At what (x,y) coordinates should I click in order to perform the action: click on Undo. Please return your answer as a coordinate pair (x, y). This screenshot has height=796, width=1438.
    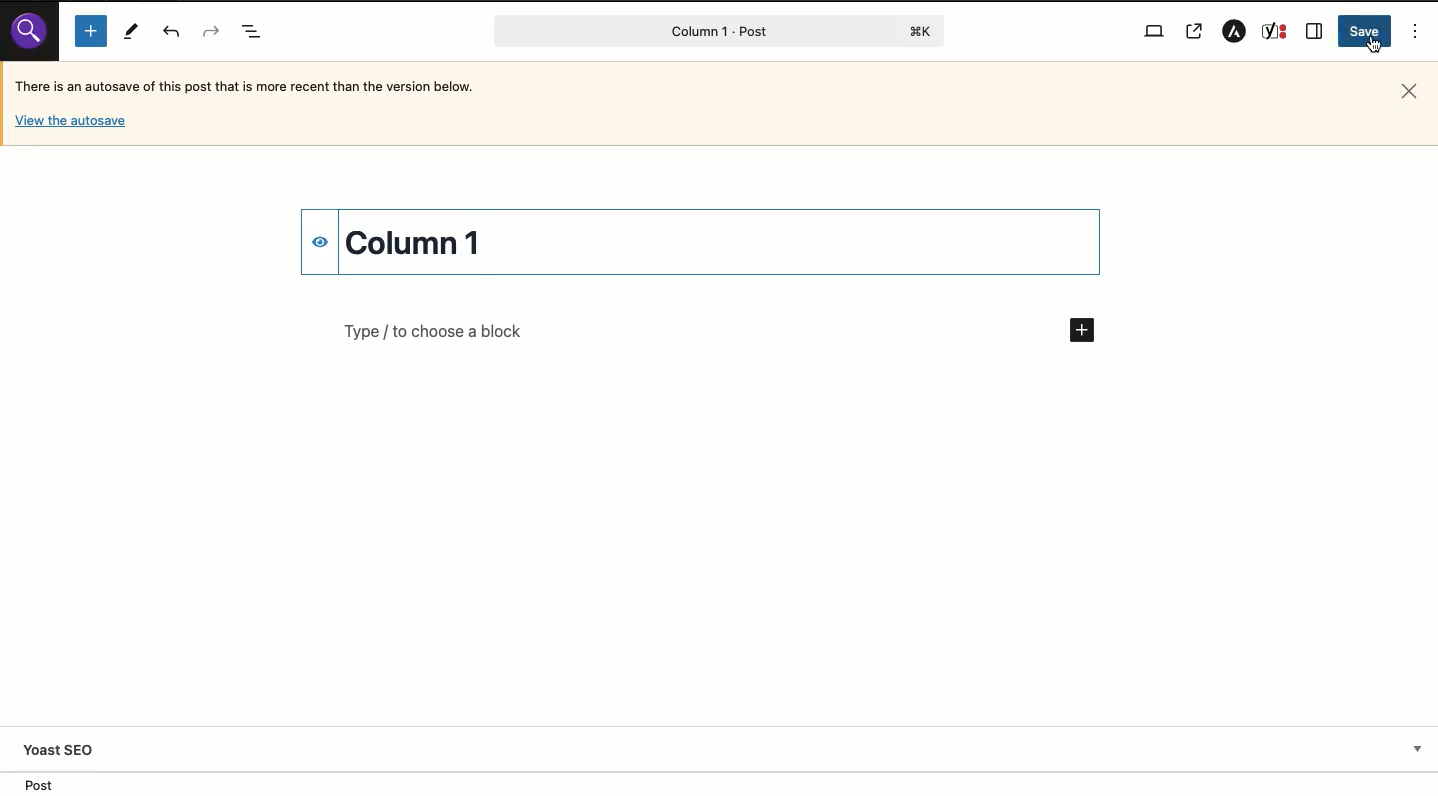
    Looking at the image, I should click on (172, 31).